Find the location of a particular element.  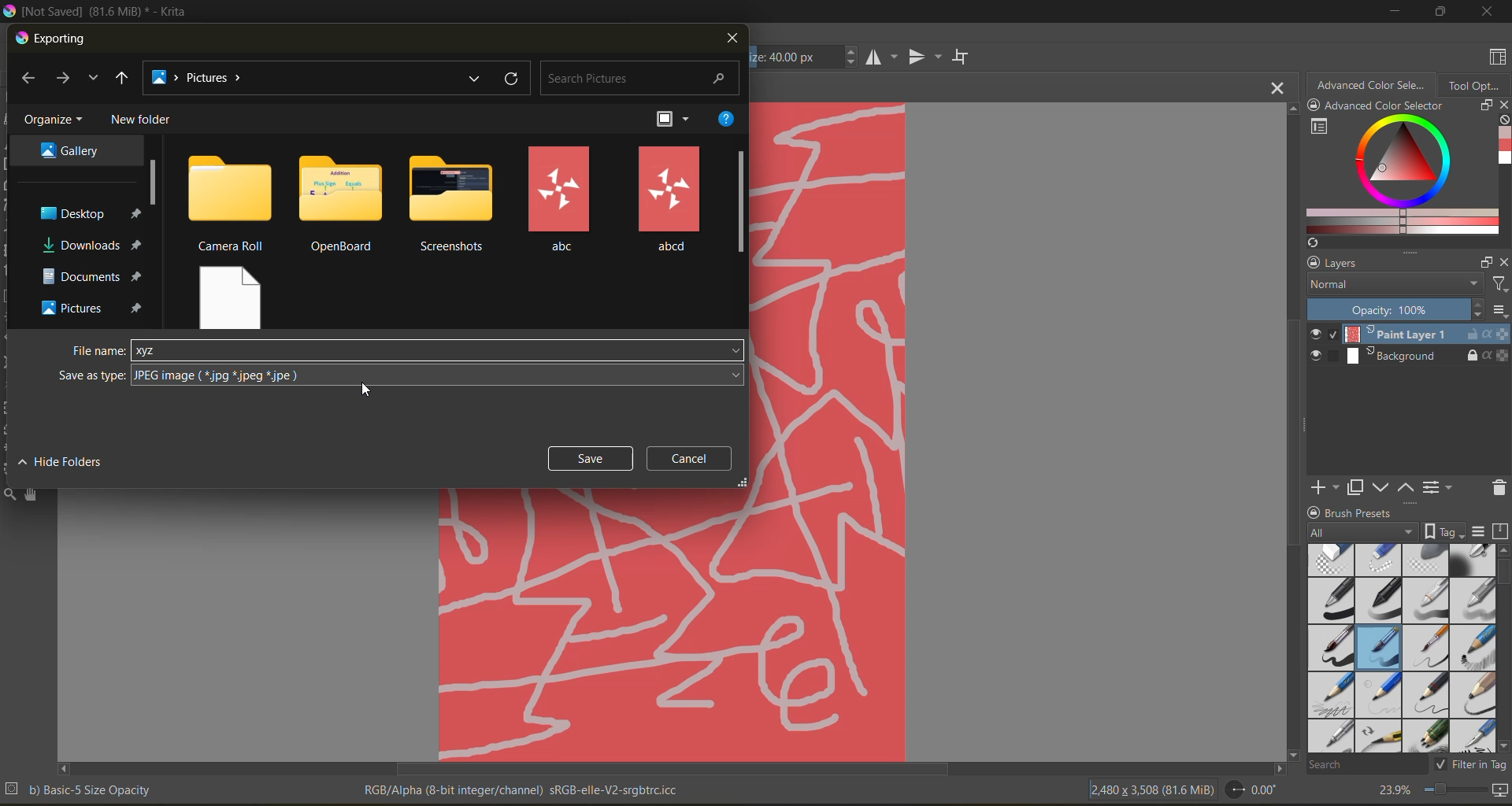

lock/unlock docker is located at coordinates (1317, 107).